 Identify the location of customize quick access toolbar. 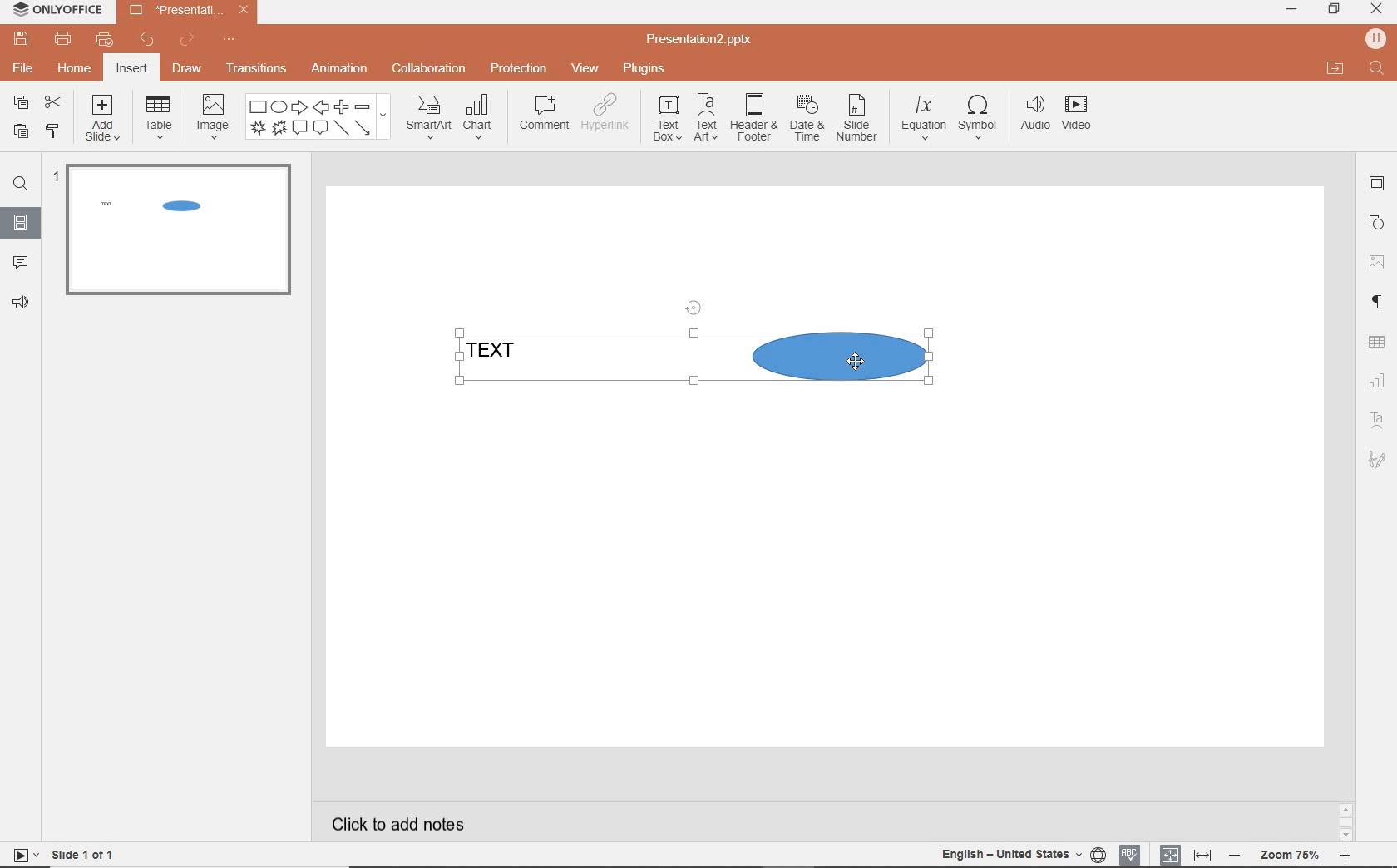
(228, 40).